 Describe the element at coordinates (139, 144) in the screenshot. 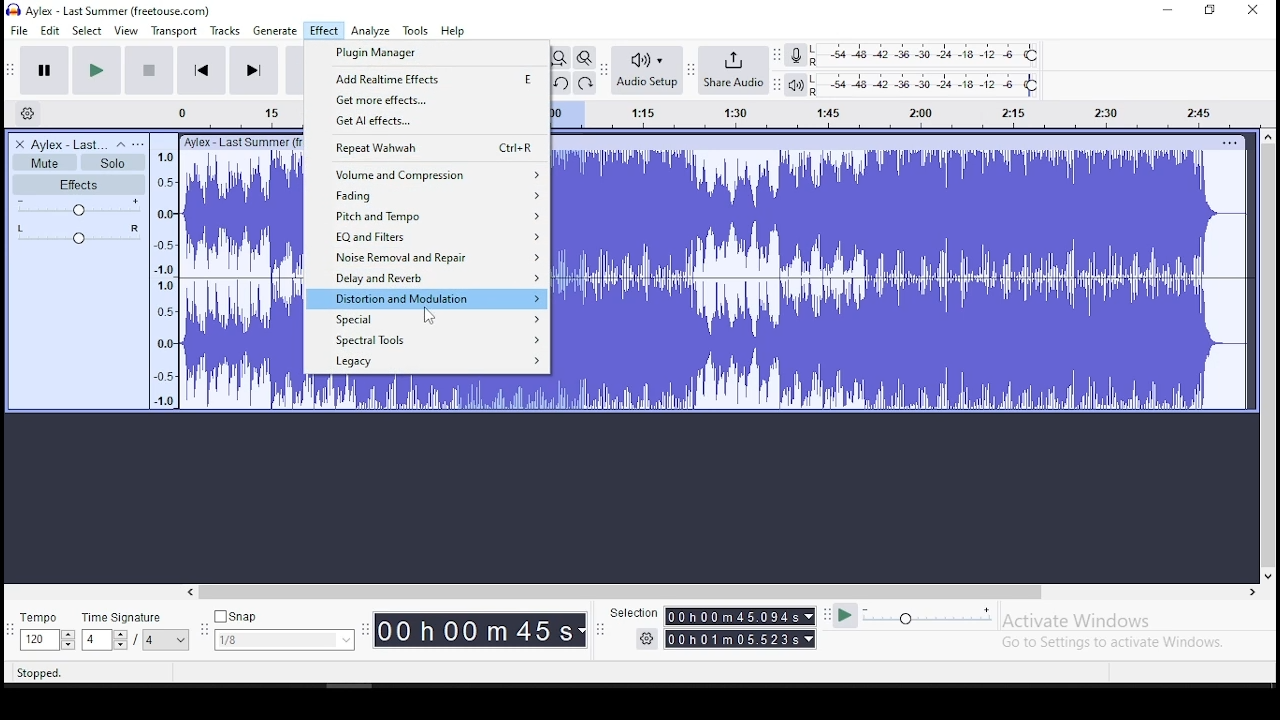

I see `open menu` at that location.